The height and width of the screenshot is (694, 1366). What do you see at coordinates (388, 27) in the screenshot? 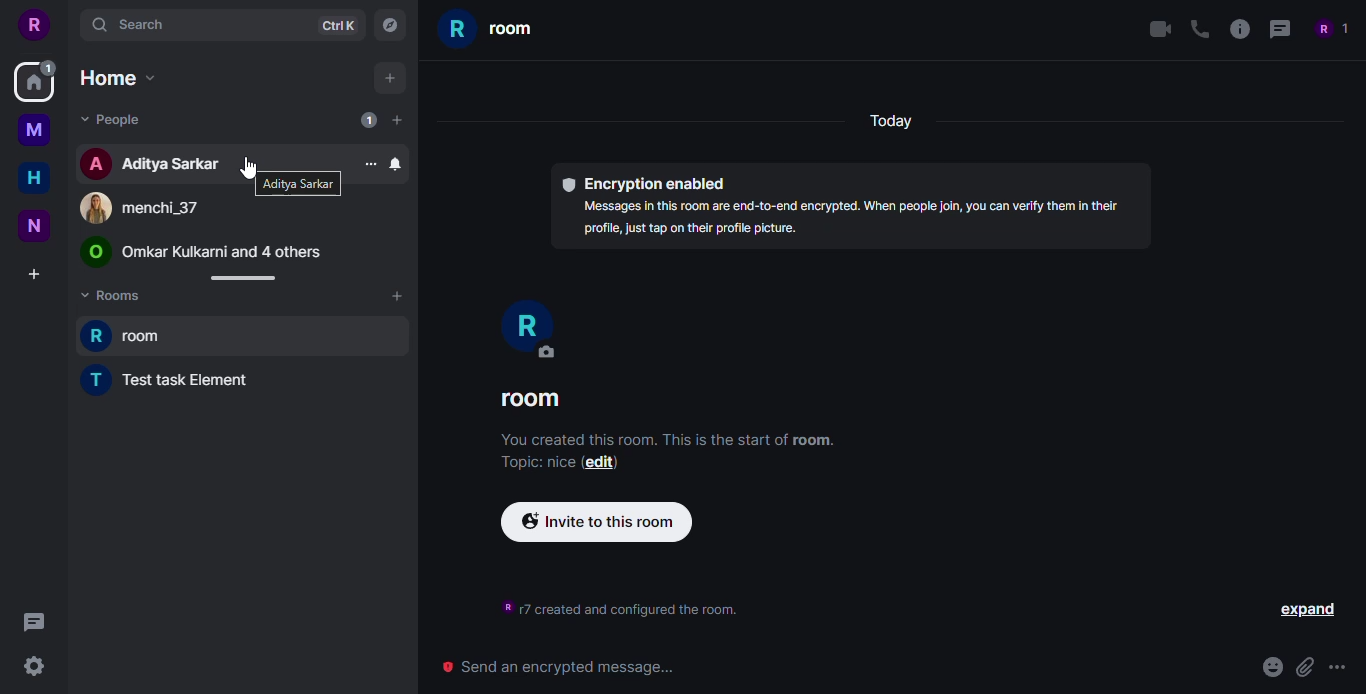
I see `explore rooms` at bounding box center [388, 27].